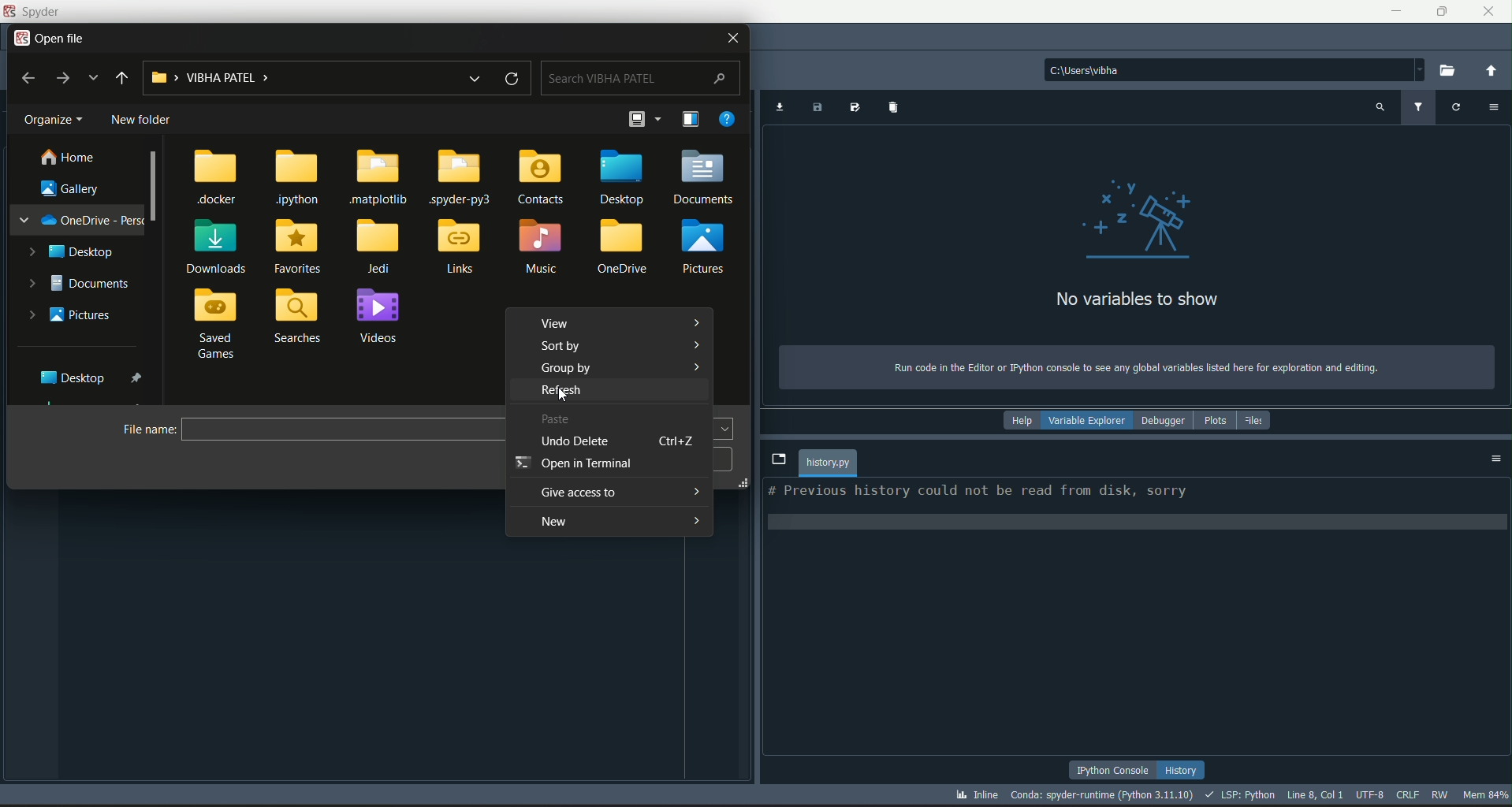 The image size is (1512, 807). Describe the element at coordinates (567, 398) in the screenshot. I see `Cursor` at that location.